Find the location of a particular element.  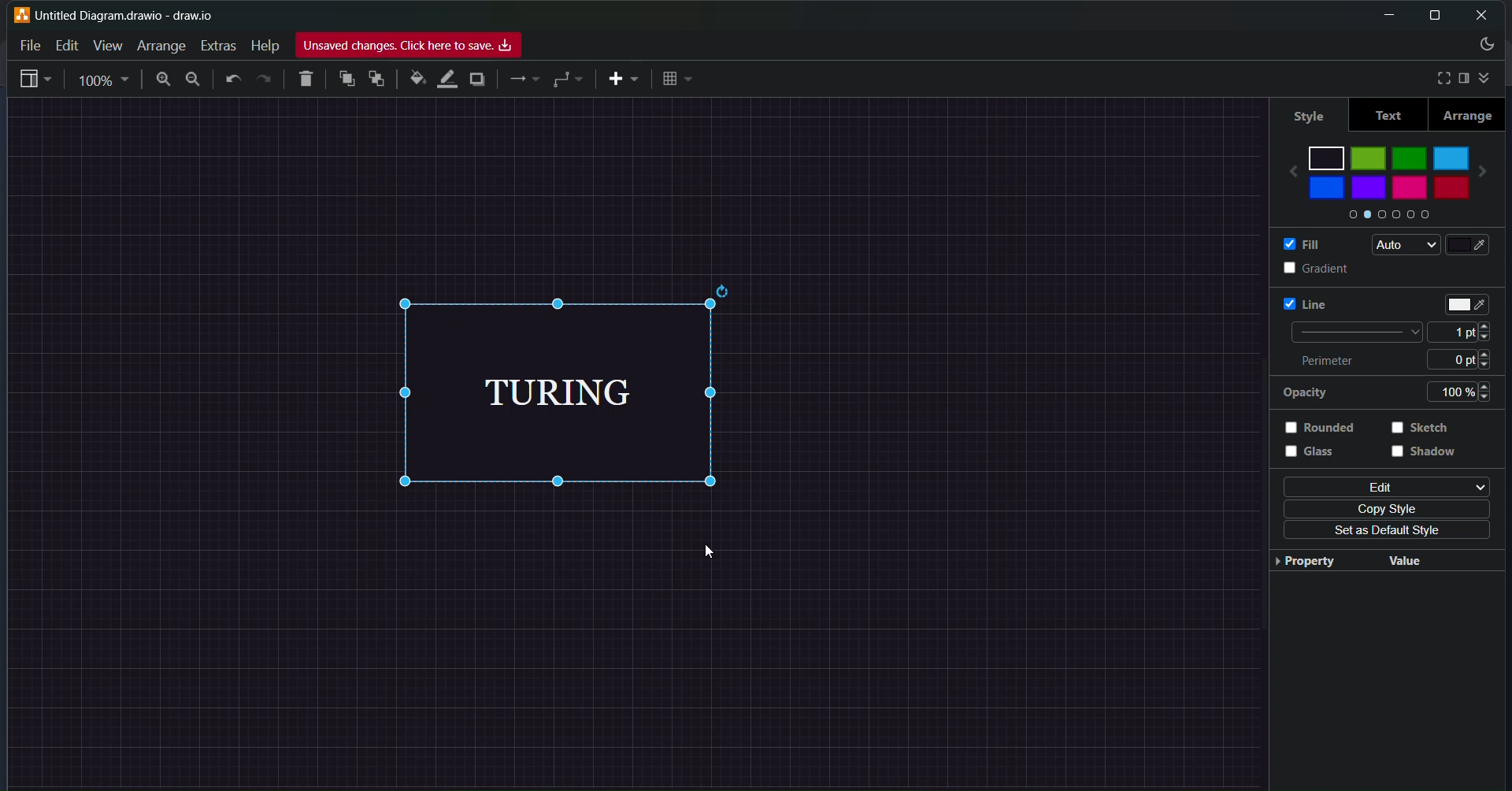

100% is located at coordinates (1466, 392).